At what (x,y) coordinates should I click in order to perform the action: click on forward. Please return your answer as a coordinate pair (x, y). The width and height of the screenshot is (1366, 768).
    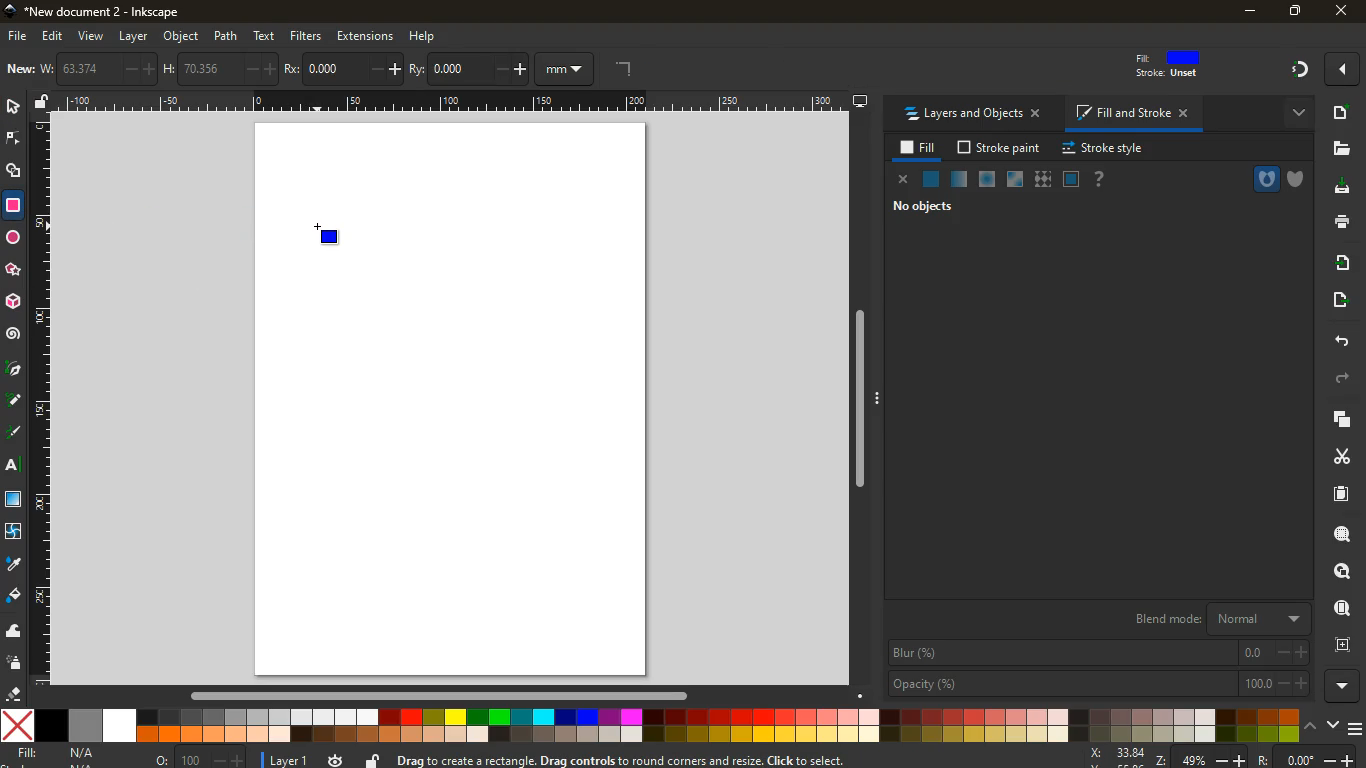
    Looking at the image, I should click on (1340, 378).